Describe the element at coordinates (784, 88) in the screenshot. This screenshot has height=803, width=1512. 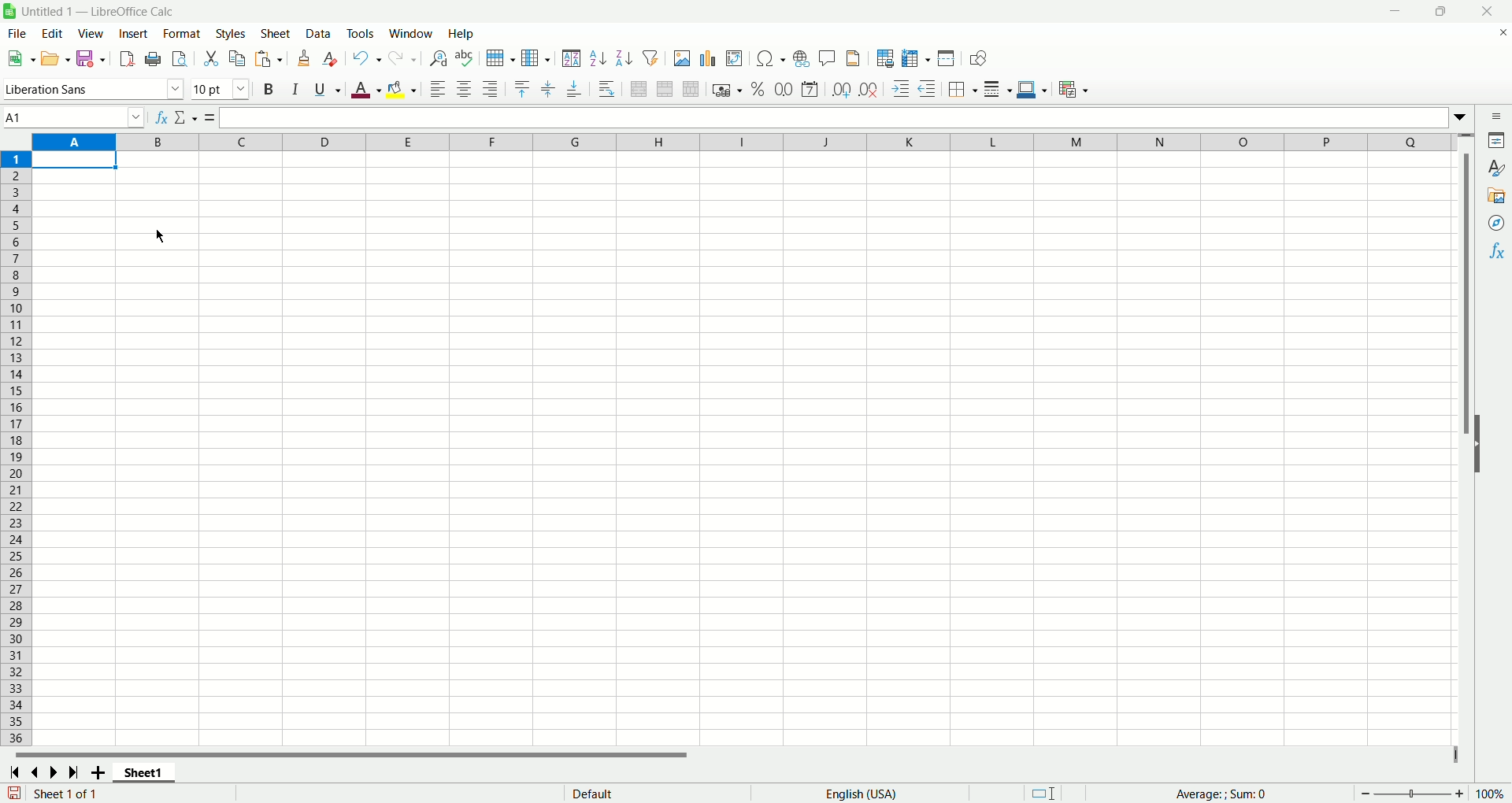
I see `format as number` at that location.